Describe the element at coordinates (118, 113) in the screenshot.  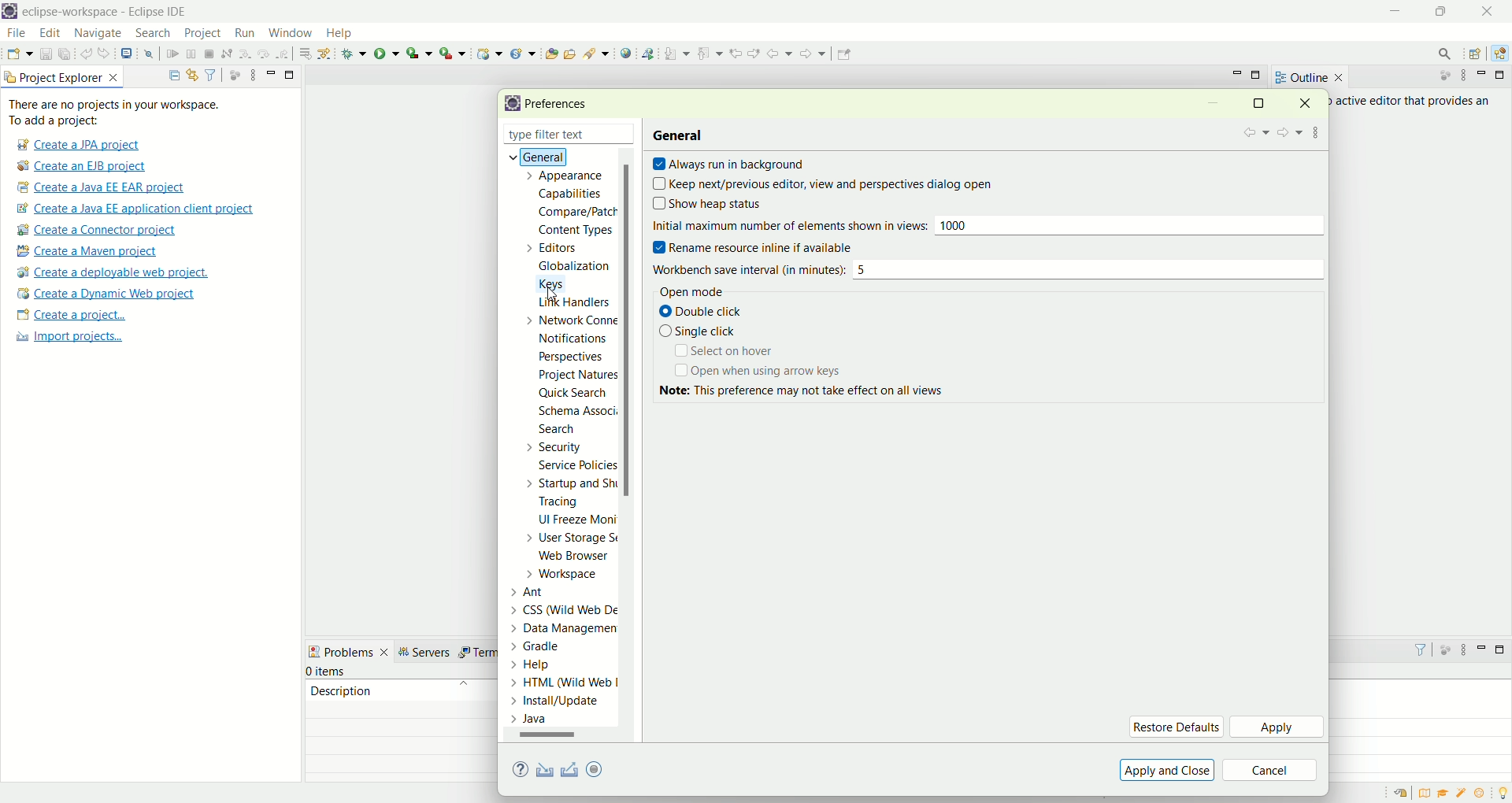
I see `There are no projects in your workspace. To add a project:` at that location.